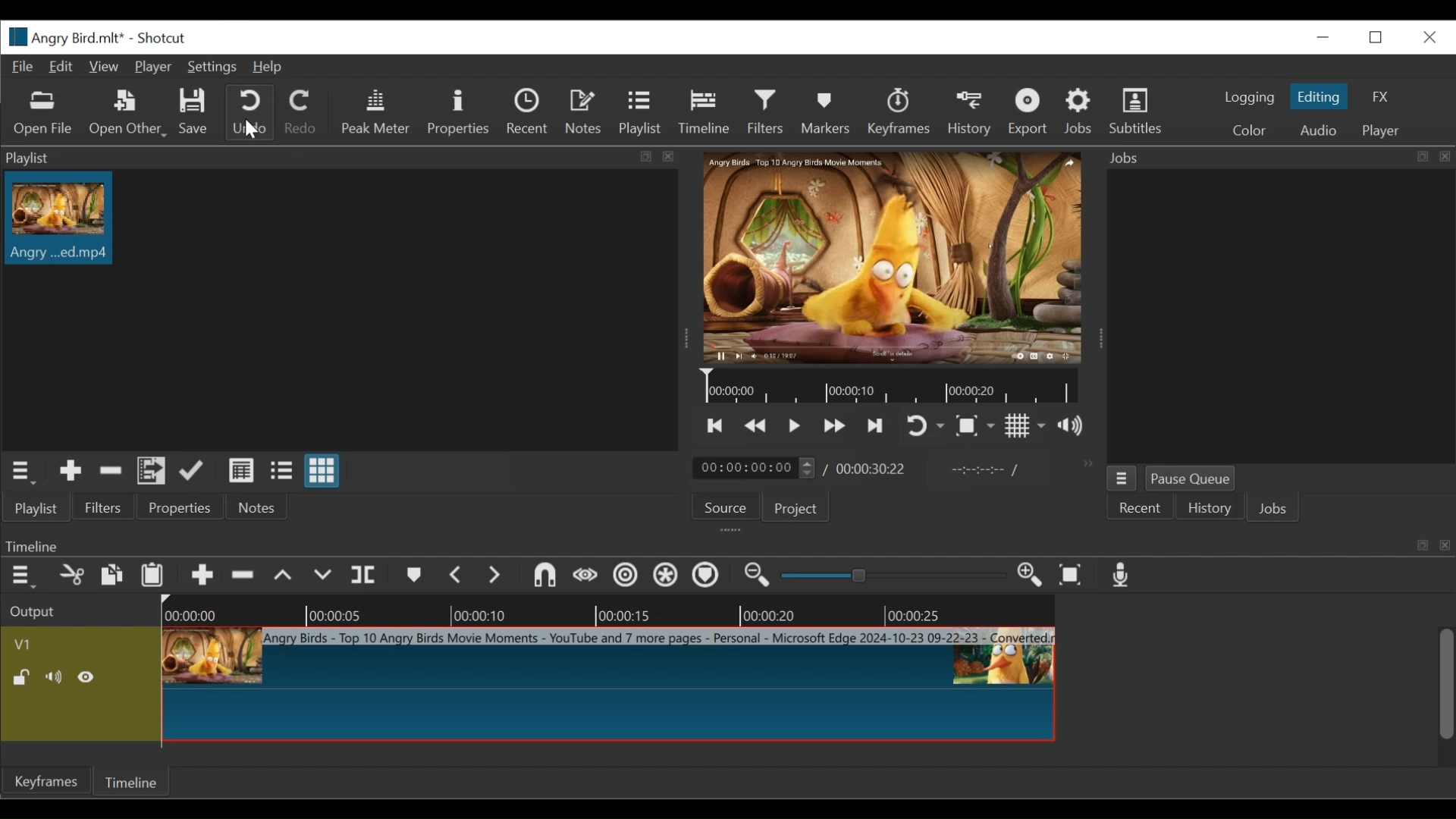  Describe the element at coordinates (640, 114) in the screenshot. I see `Playlist` at that location.